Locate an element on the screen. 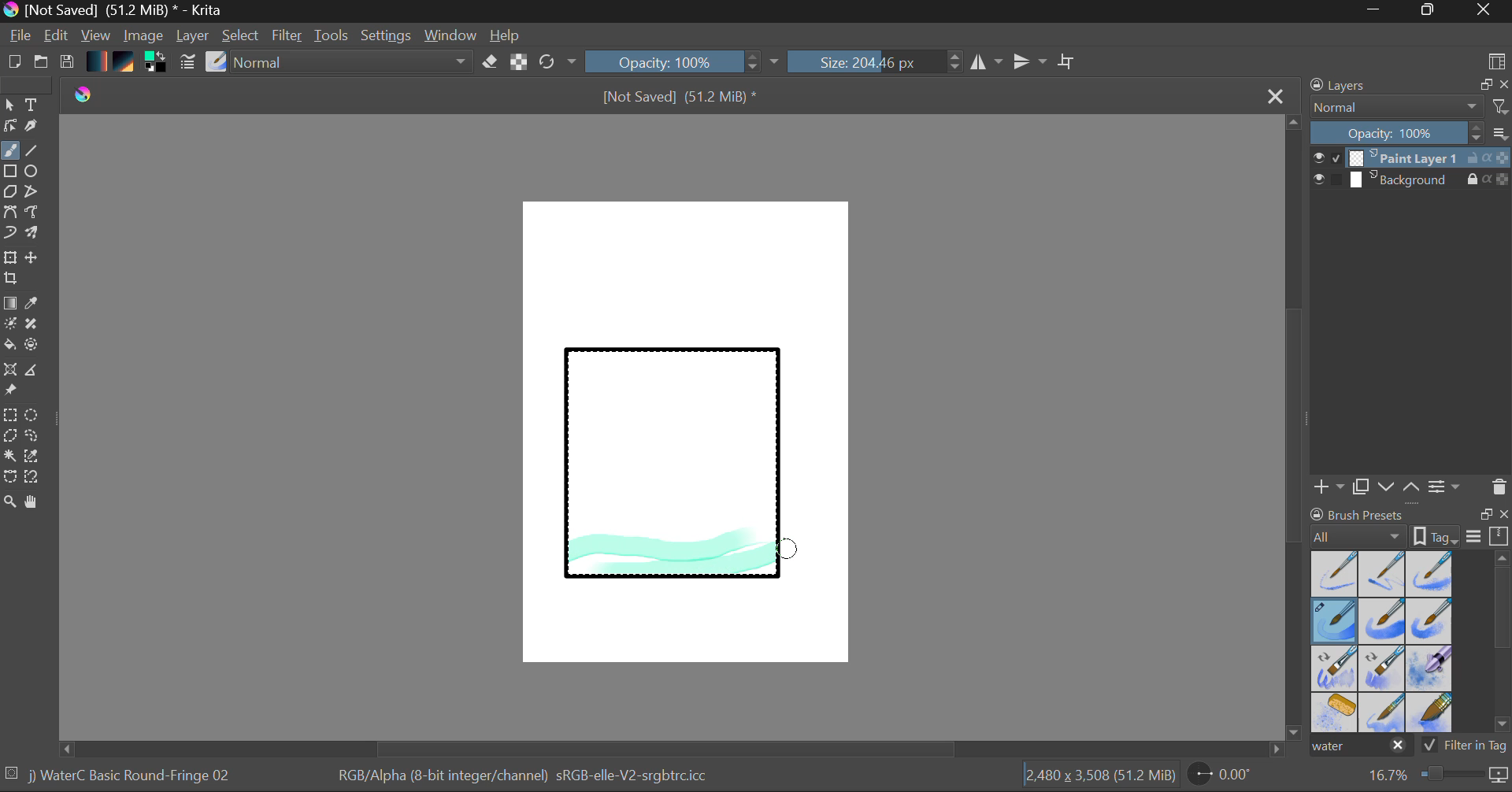 Image resolution: width=1512 pixels, height=792 pixels. Select Brush Preset is located at coordinates (217, 62).